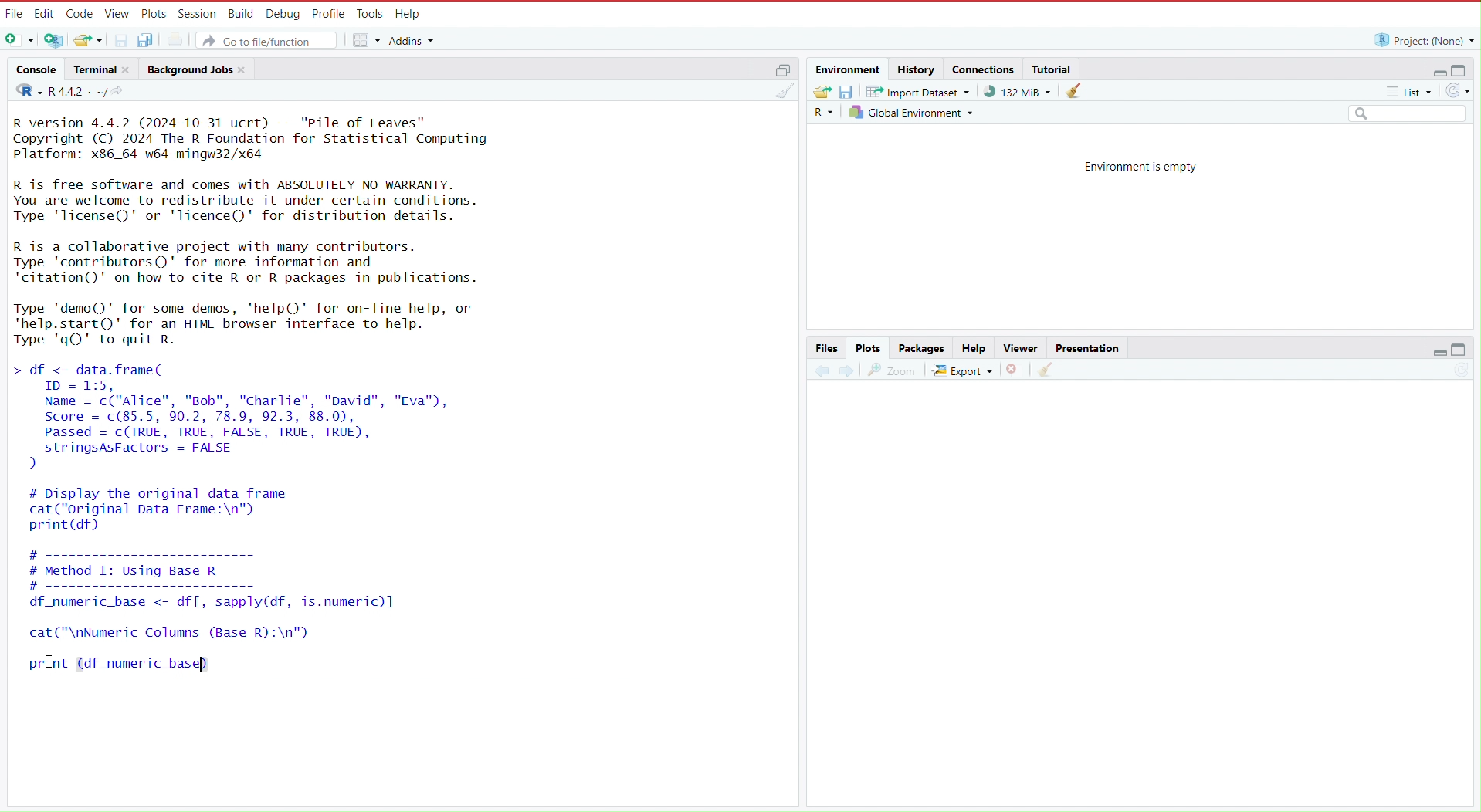 The width and height of the screenshot is (1481, 812). Describe the element at coordinates (920, 347) in the screenshot. I see `Packages` at that location.